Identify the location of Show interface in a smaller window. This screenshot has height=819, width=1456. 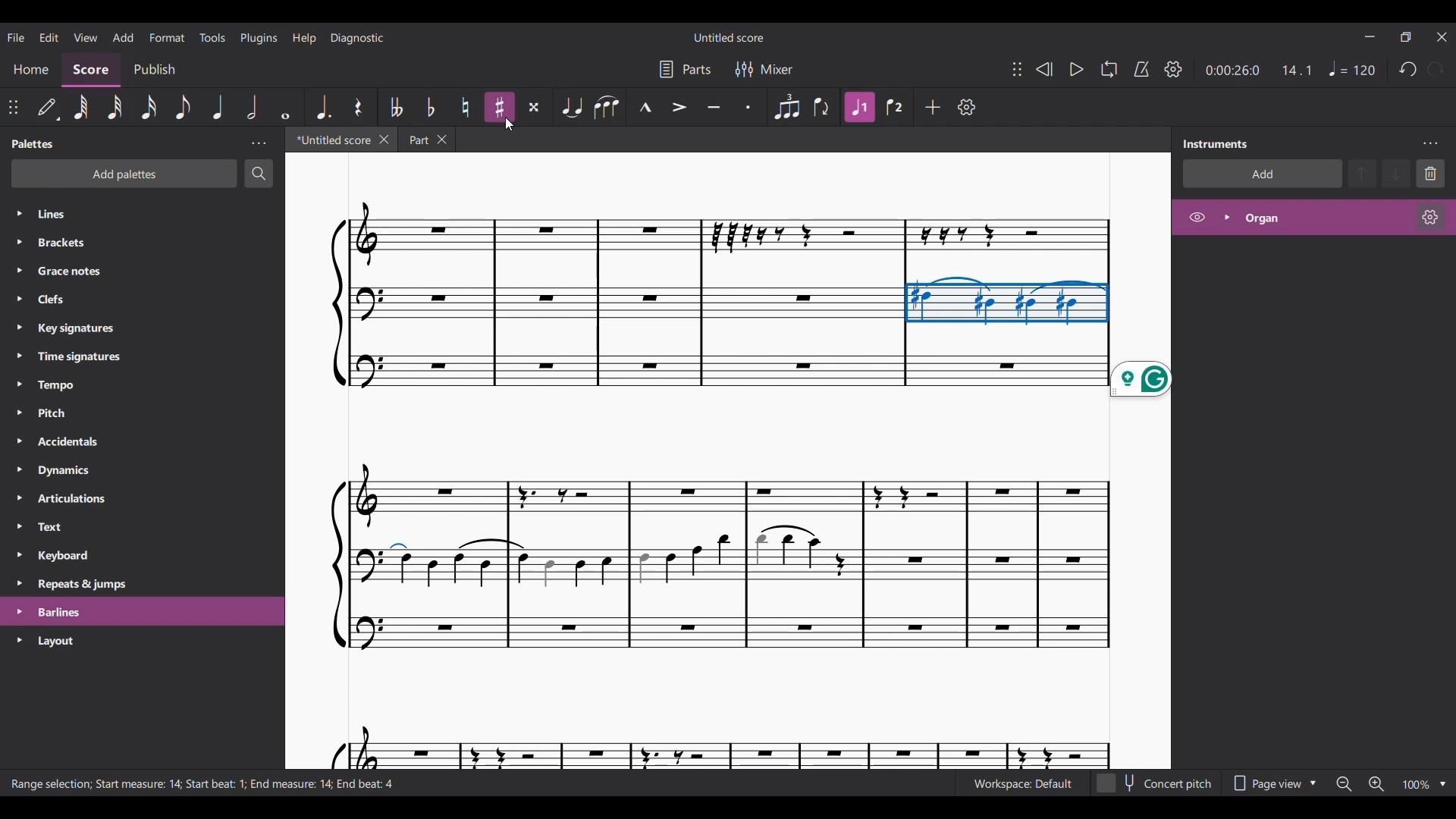
(1405, 37).